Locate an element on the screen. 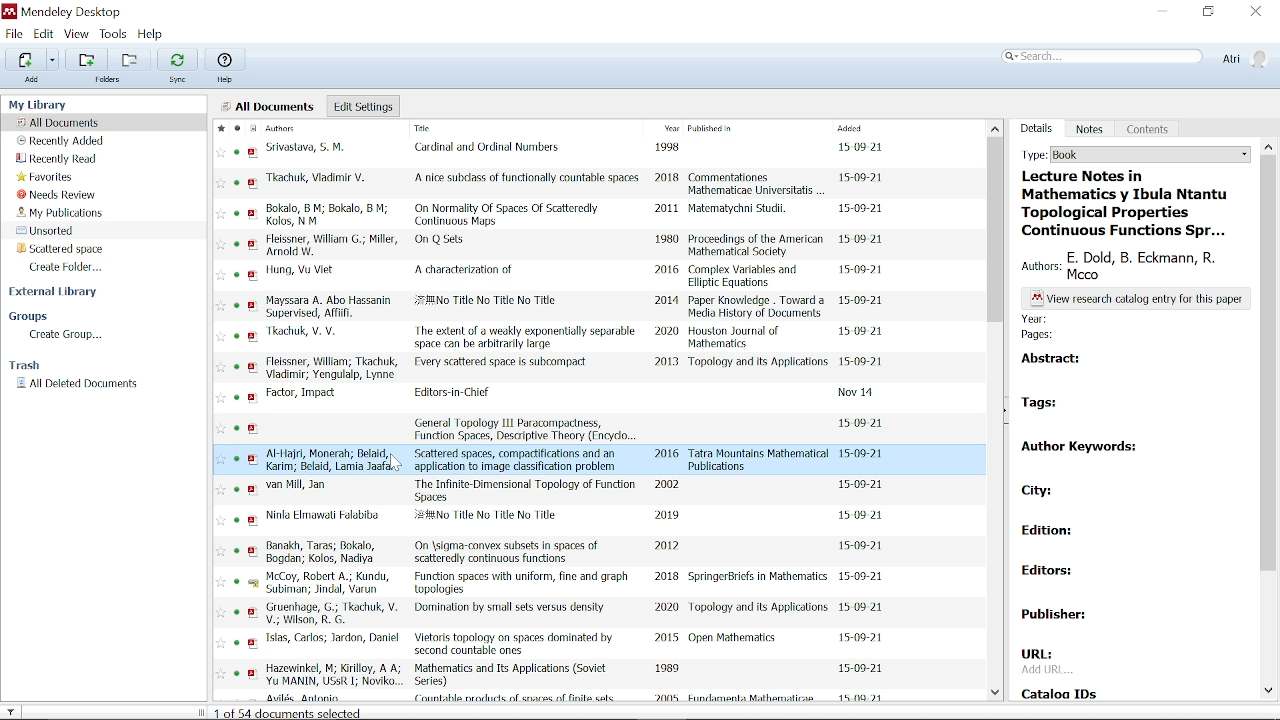  2013 is located at coordinates (667, 363).